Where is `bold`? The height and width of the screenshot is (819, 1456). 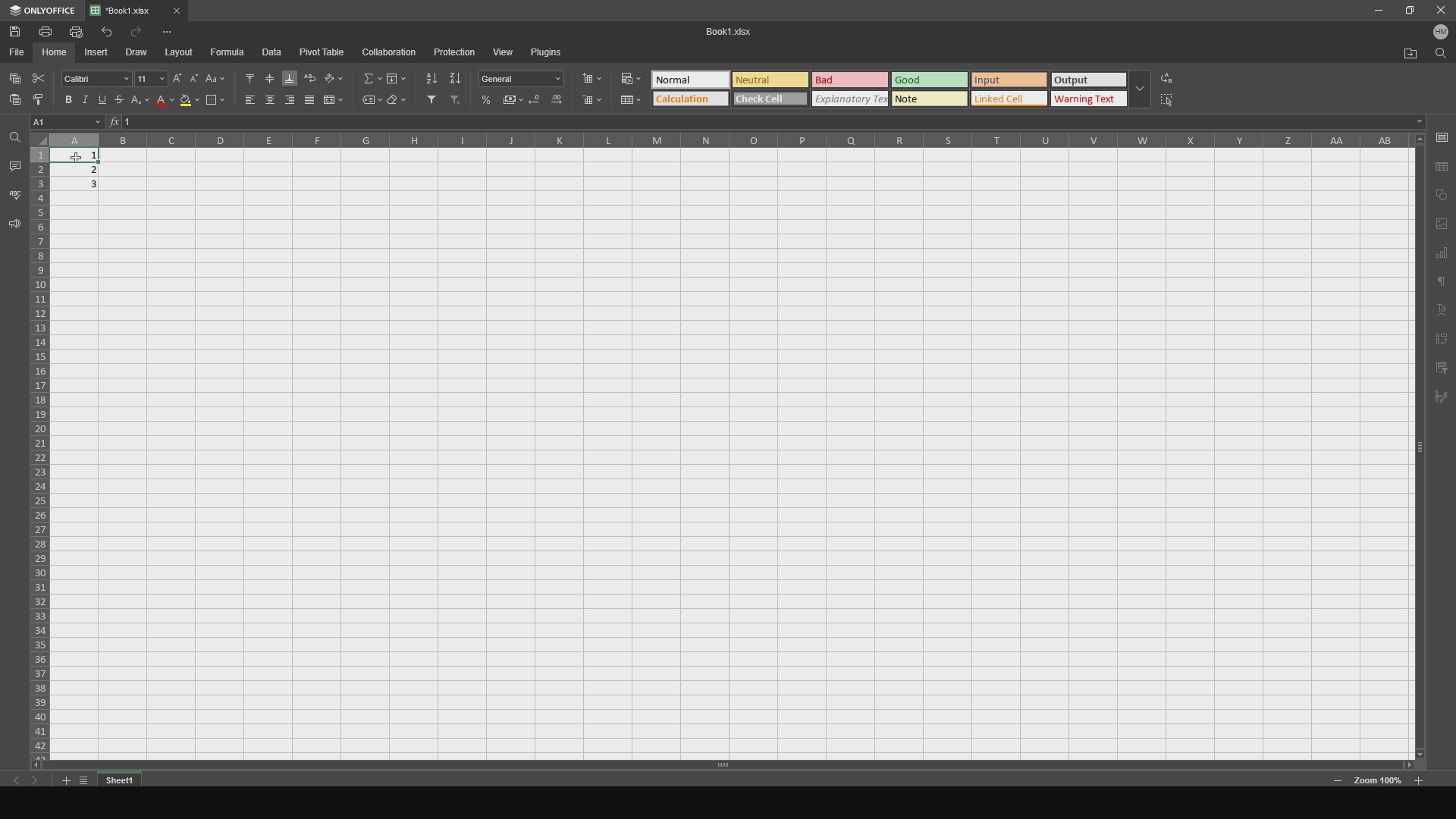 bold is located at coordinates (66, 99).